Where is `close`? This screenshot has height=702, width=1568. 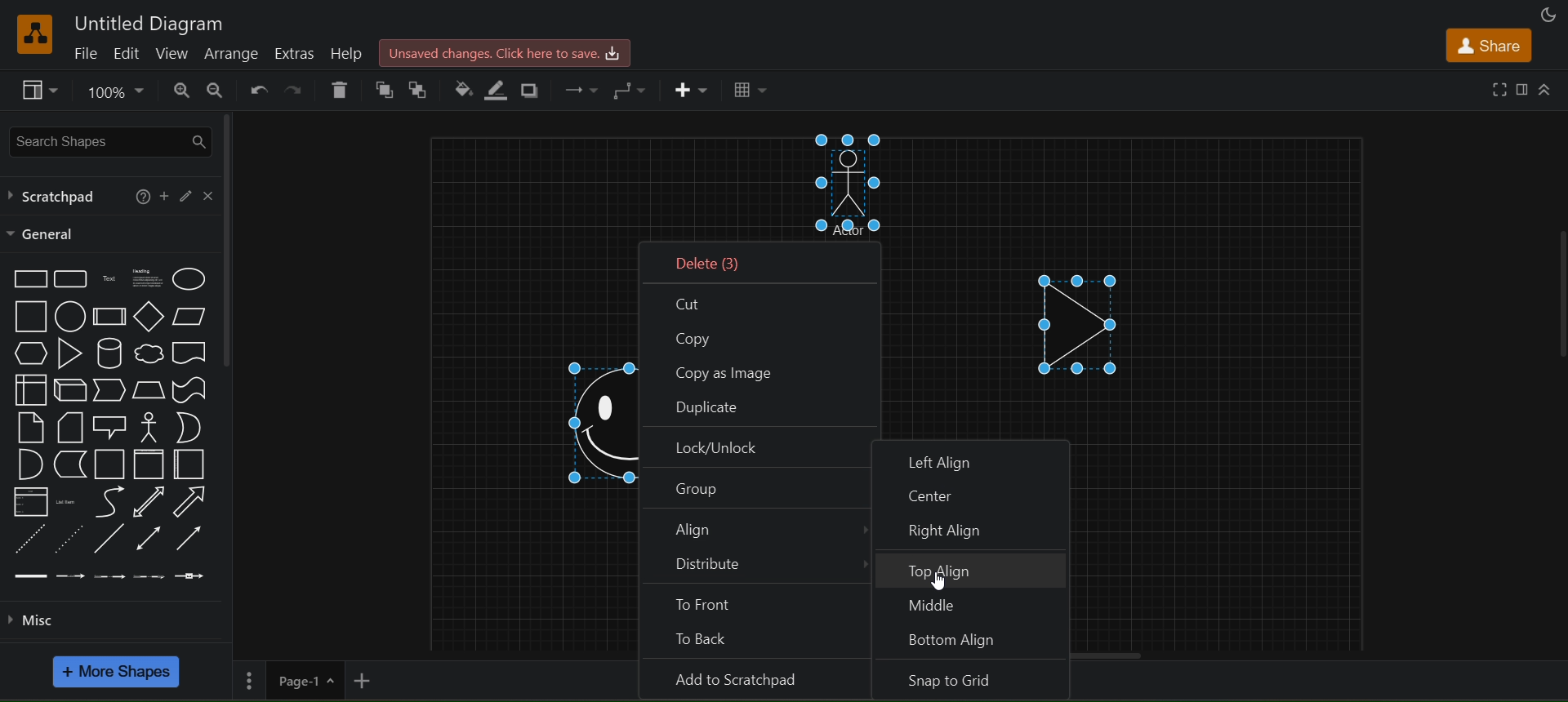
close is located at coordinates (208, 194).